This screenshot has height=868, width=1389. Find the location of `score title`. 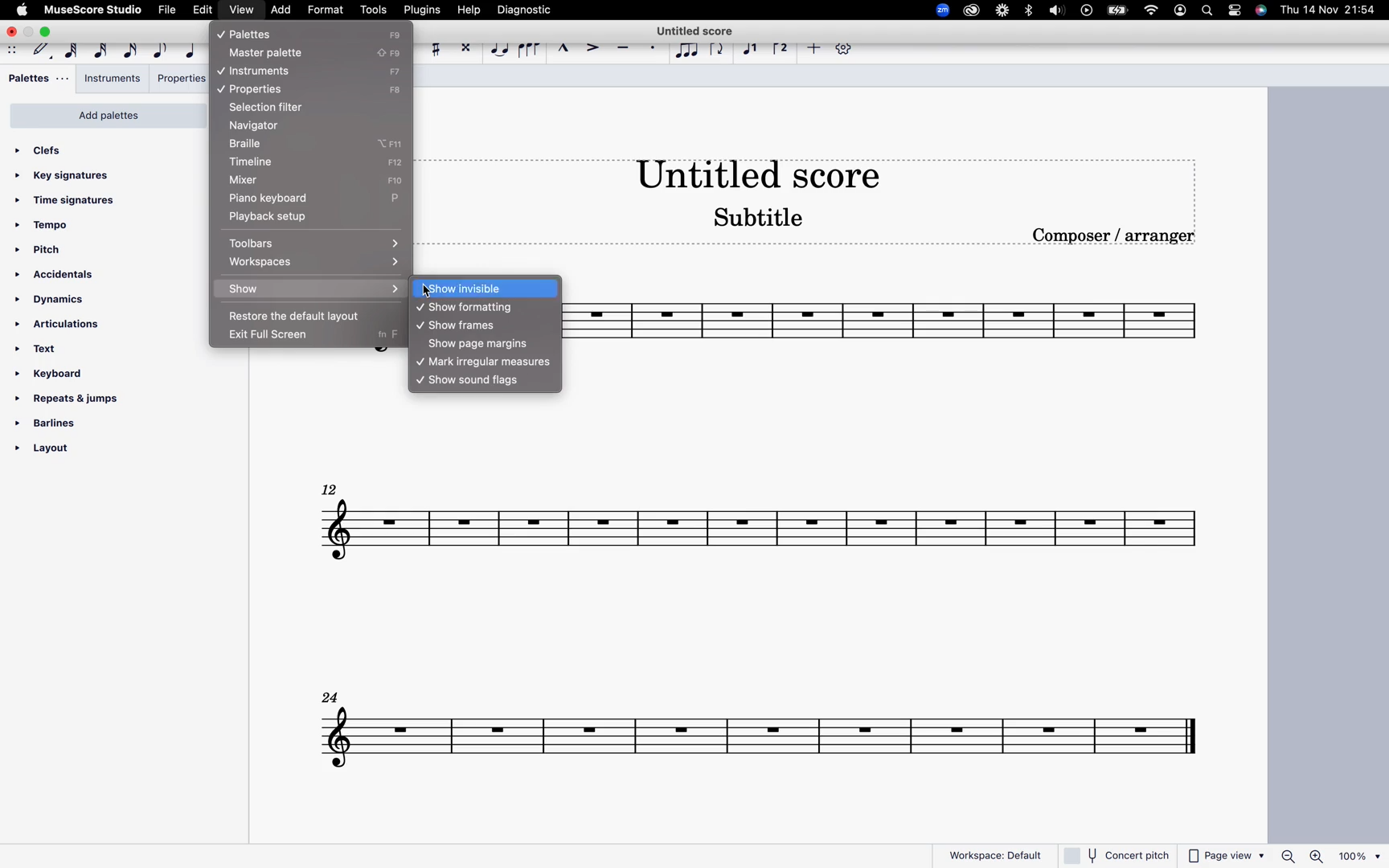

score title is located at coordinates (762, 171).